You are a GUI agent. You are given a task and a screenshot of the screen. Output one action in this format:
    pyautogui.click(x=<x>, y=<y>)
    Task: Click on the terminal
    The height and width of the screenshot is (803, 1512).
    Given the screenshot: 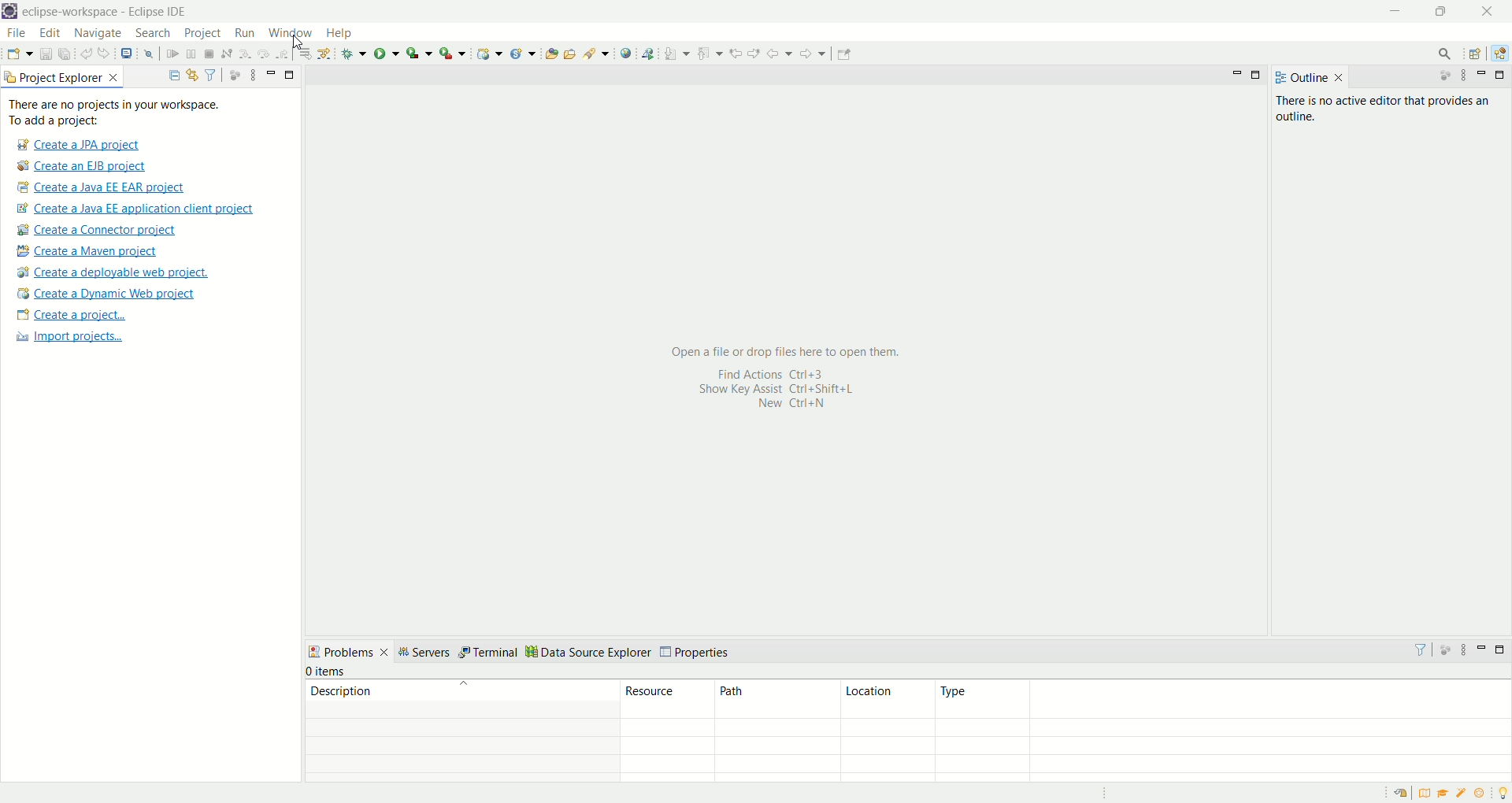 What is the action you would take?
    pyautogui.click(x=490, y=651)
    